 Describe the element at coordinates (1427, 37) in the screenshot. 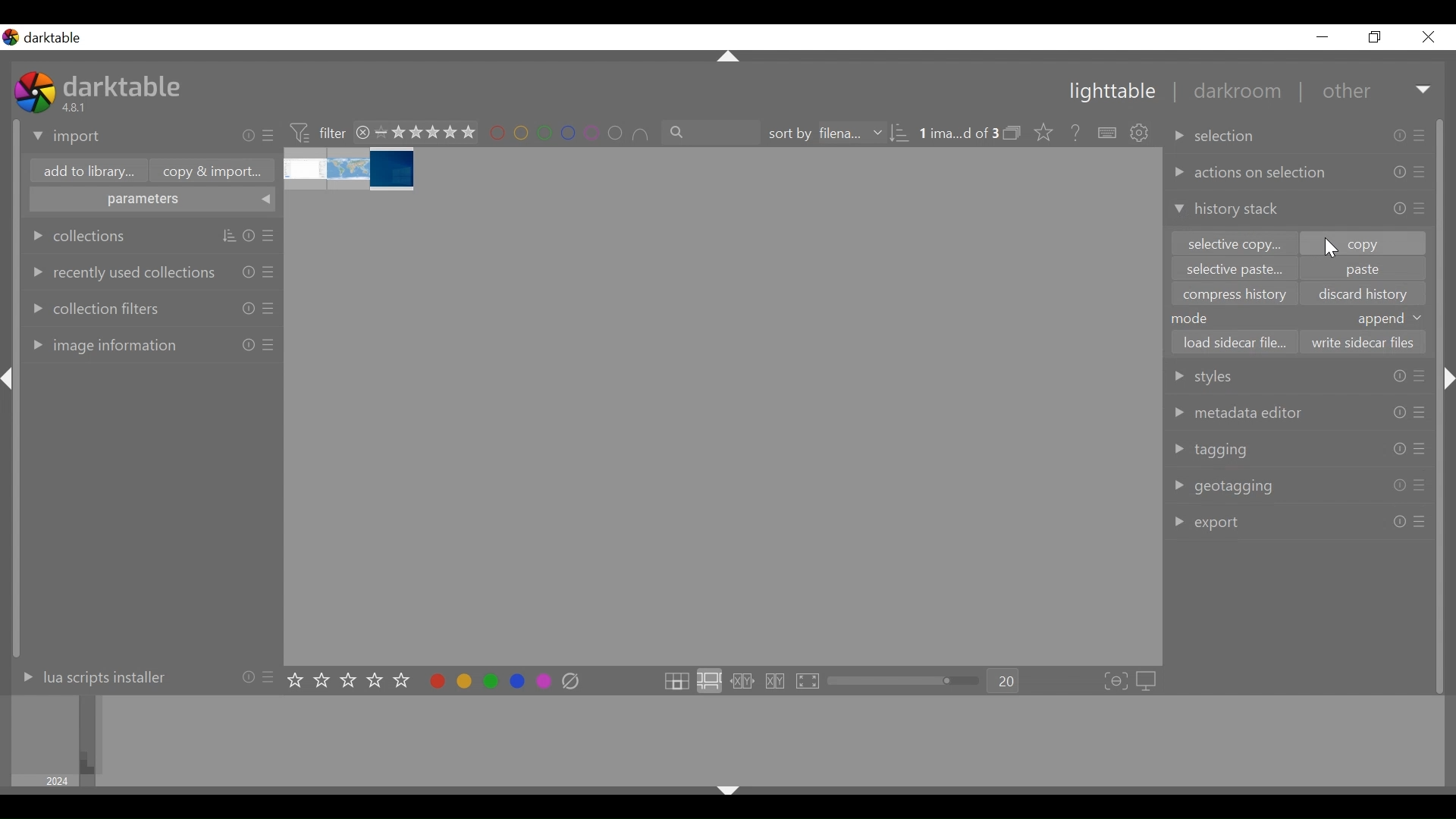

I see `close` at that location.